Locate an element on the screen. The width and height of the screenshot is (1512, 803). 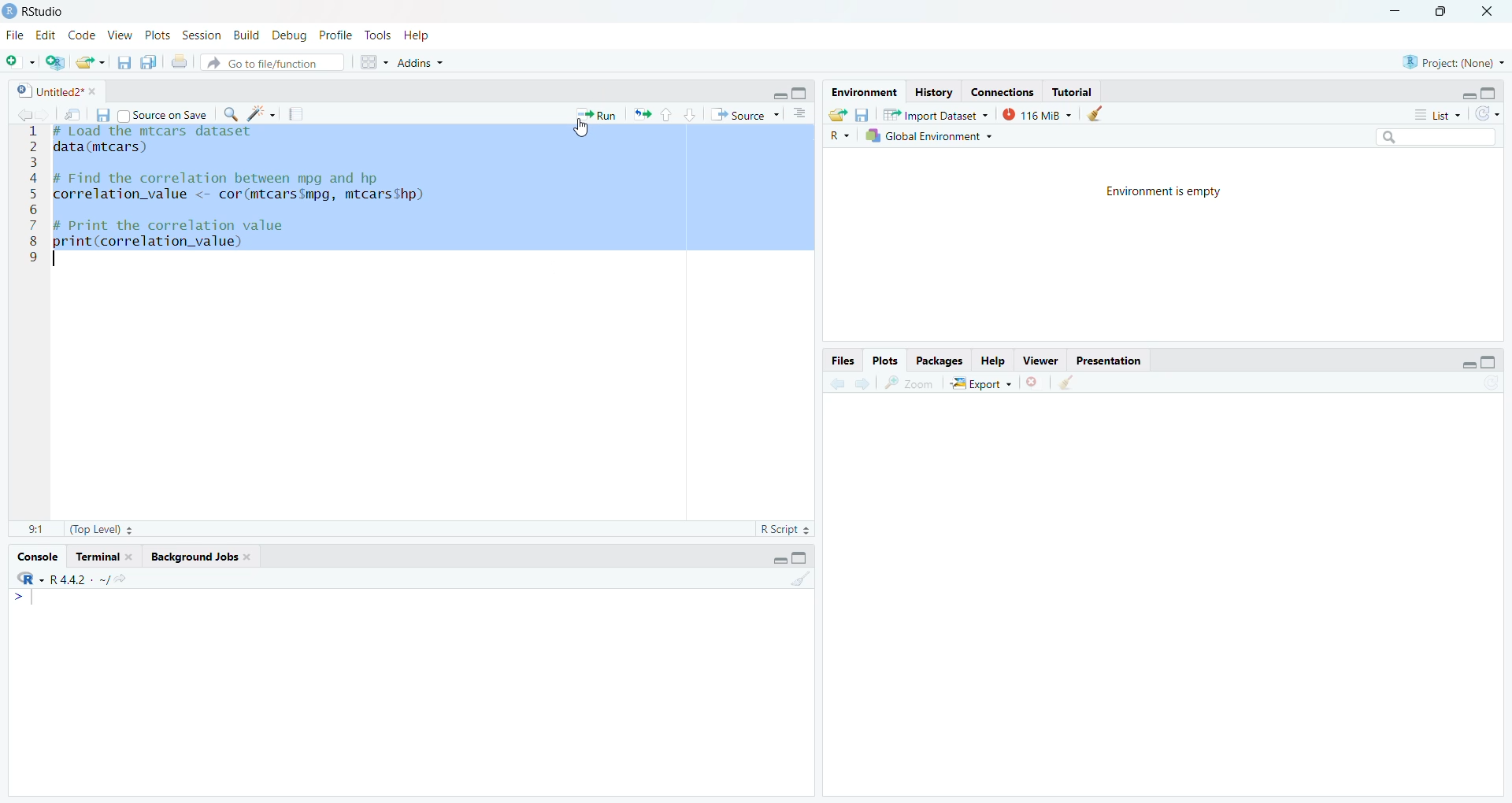
1:1 is located at coordinates (28, 526).